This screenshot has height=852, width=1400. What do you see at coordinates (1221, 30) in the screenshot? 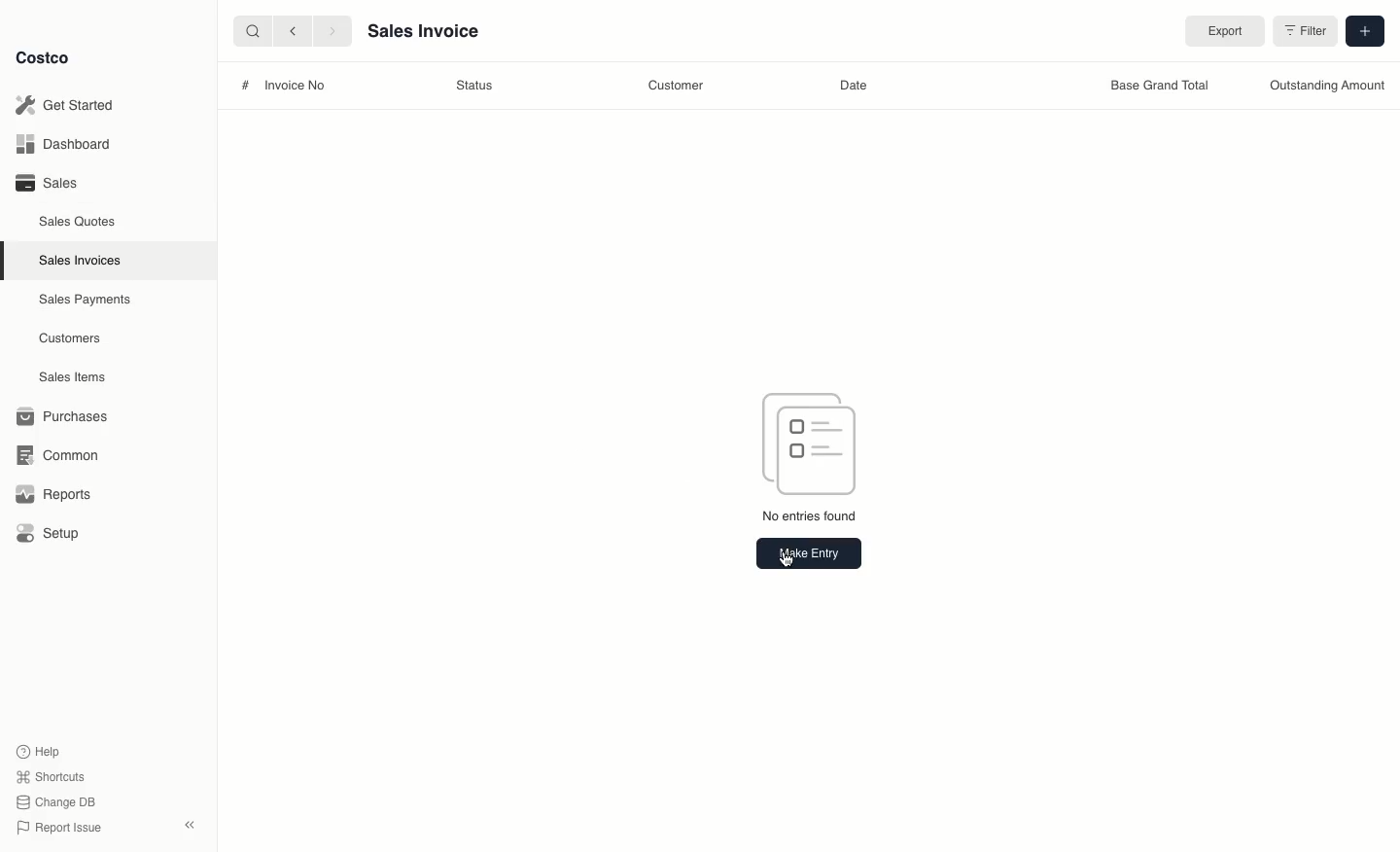
I see `Export` at bounding box center [1221, 30].